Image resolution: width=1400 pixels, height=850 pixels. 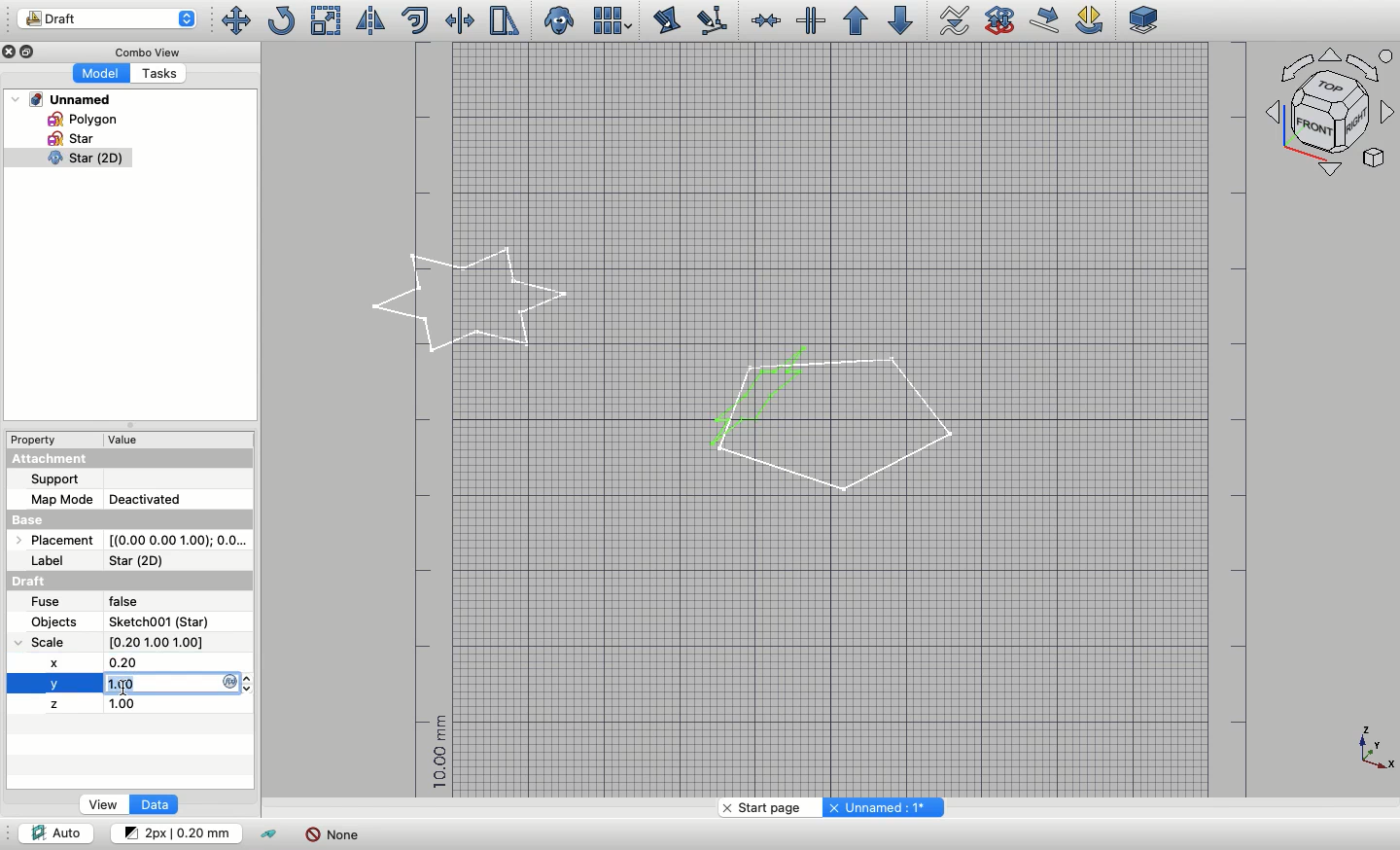 I want to click on X, so click(x=54, y=661).